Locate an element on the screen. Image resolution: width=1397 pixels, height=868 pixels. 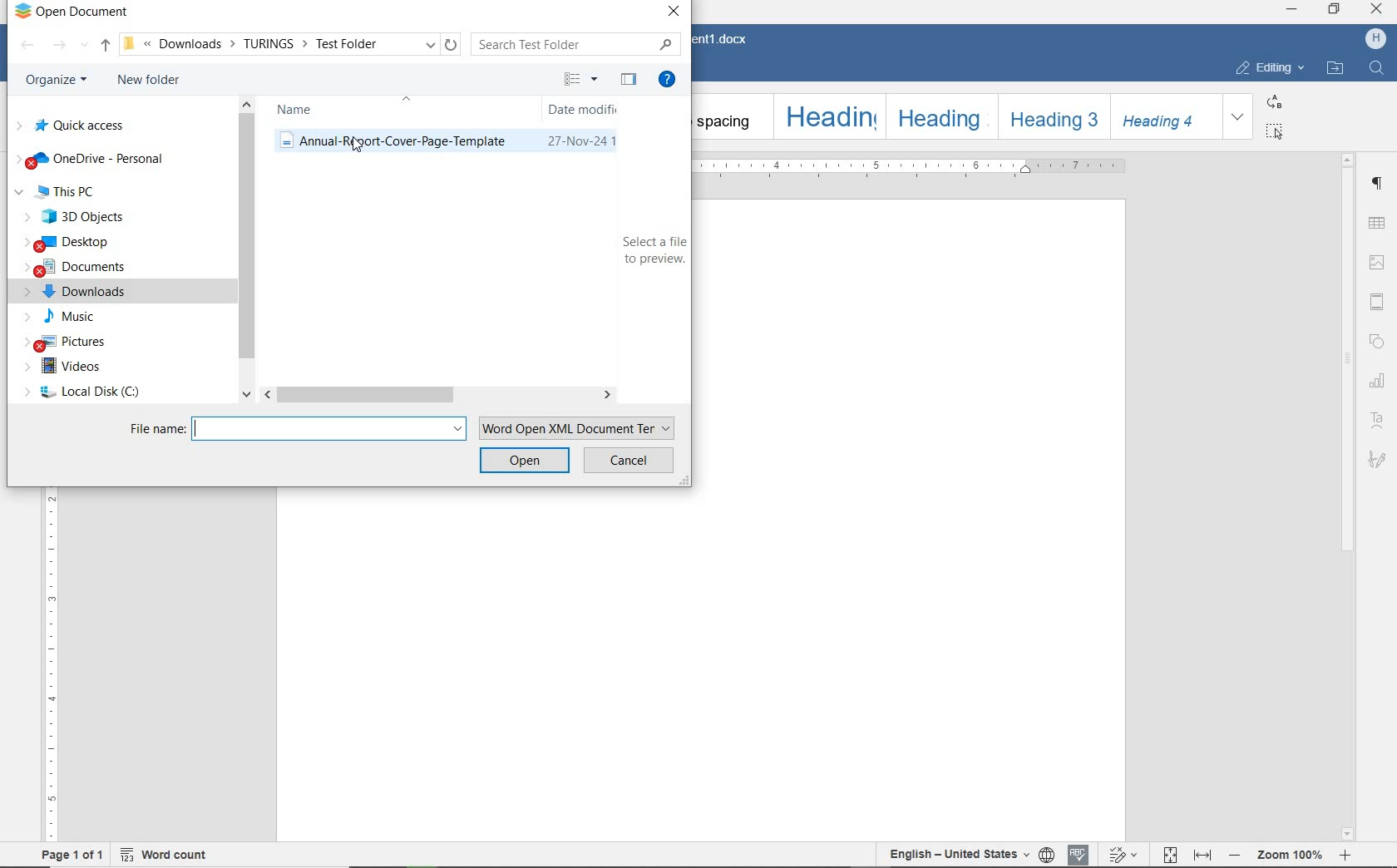
header & footer is located at coordinates (1377, 302).